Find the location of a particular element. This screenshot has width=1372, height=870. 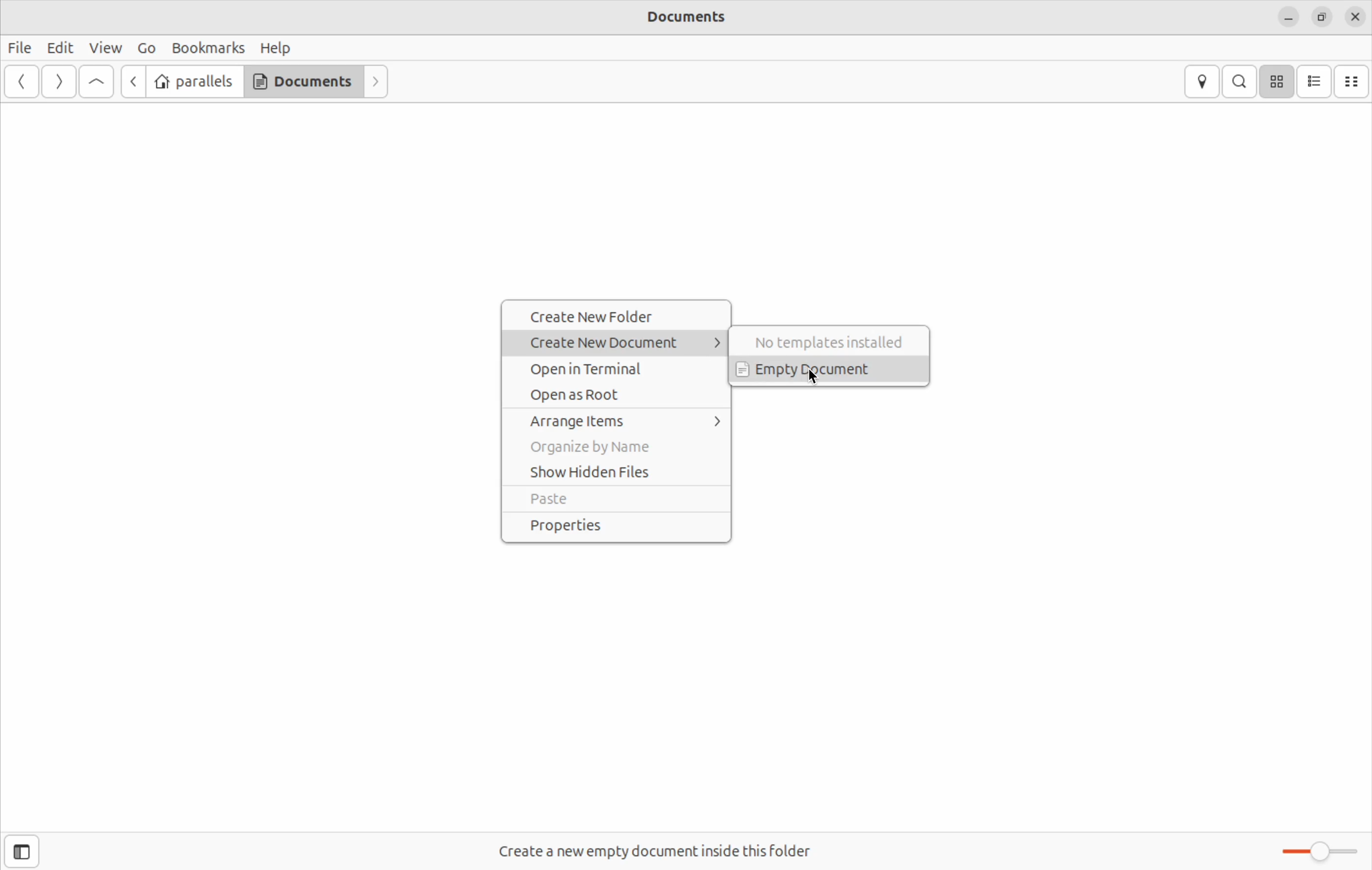

Documents is located at coordinates (702, 19).